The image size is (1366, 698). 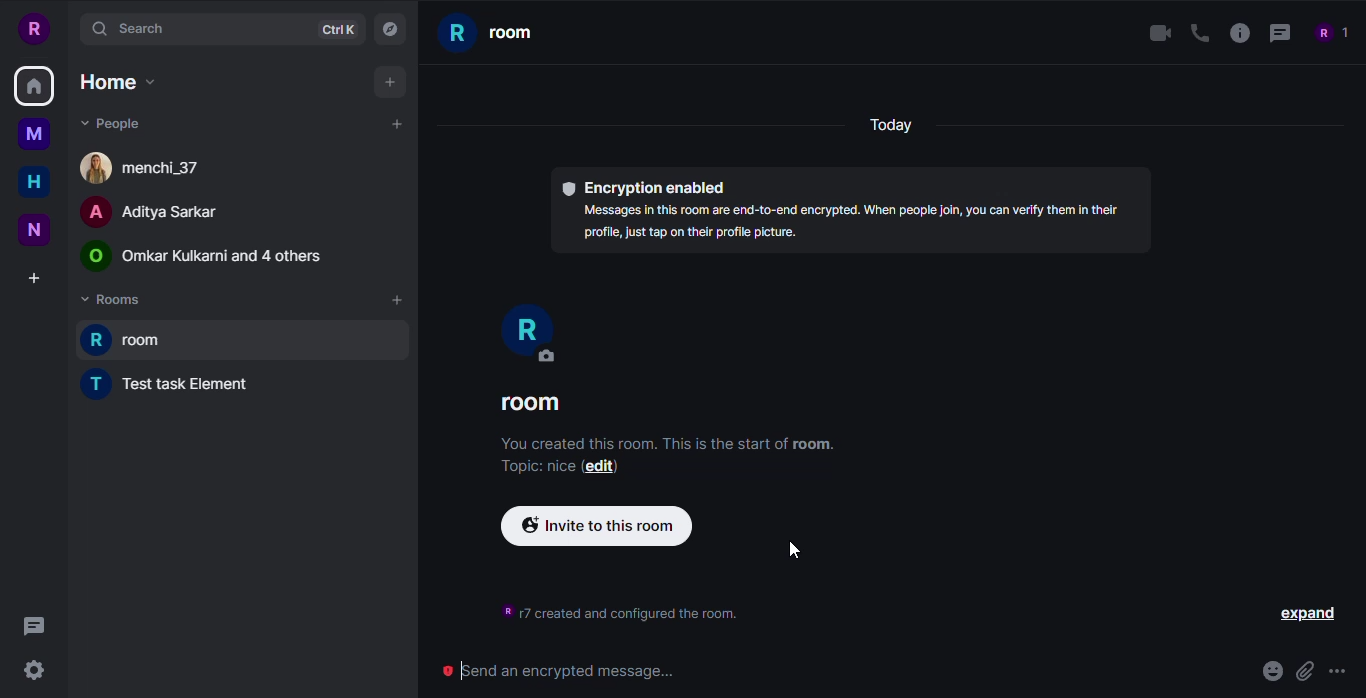 What do you see at coordinates (596, 525) in the screenshot?
I see `invite to this room` at bounding box center [596, 525].